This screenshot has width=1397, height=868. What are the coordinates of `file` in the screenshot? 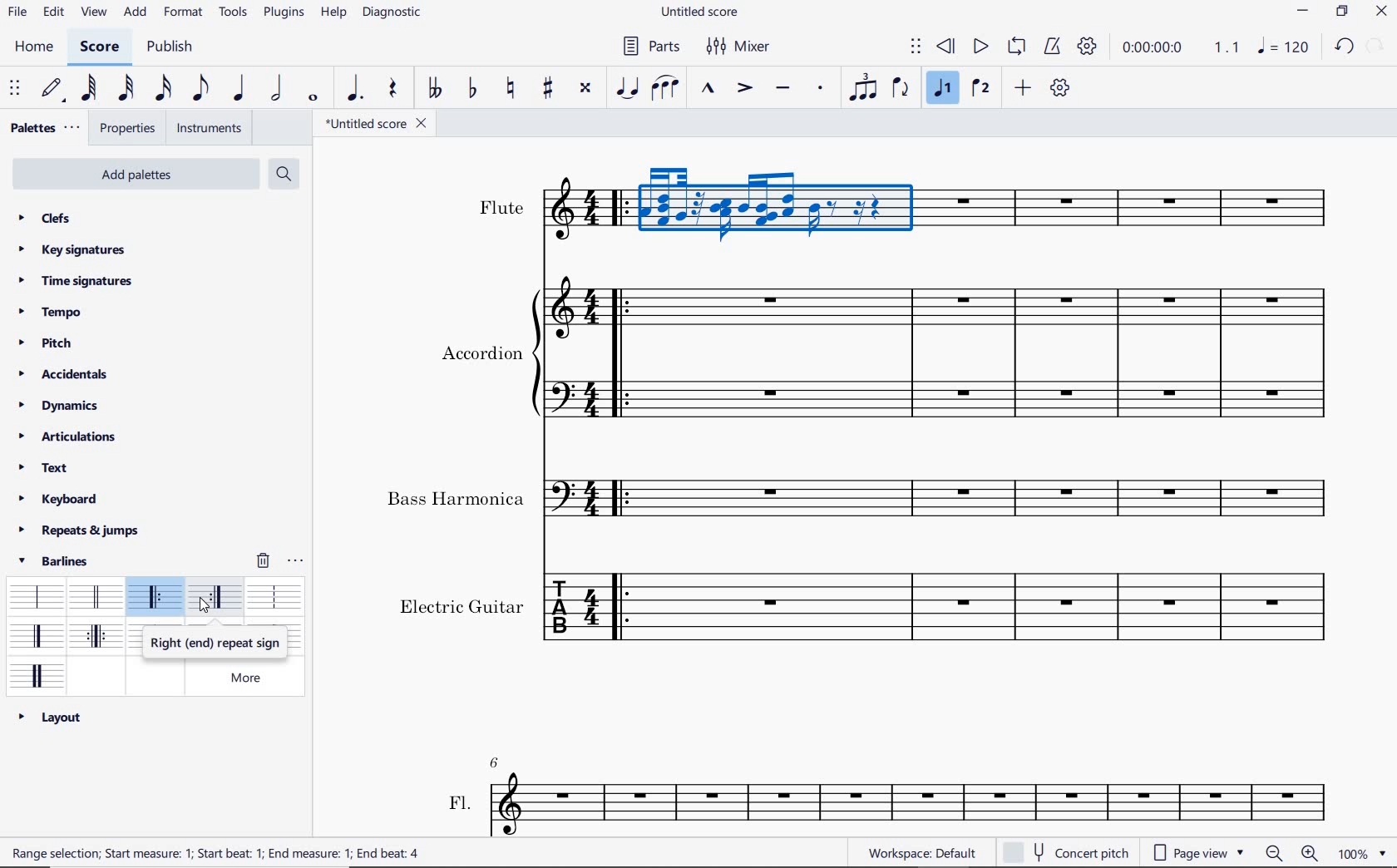 It's located at (16, 14).